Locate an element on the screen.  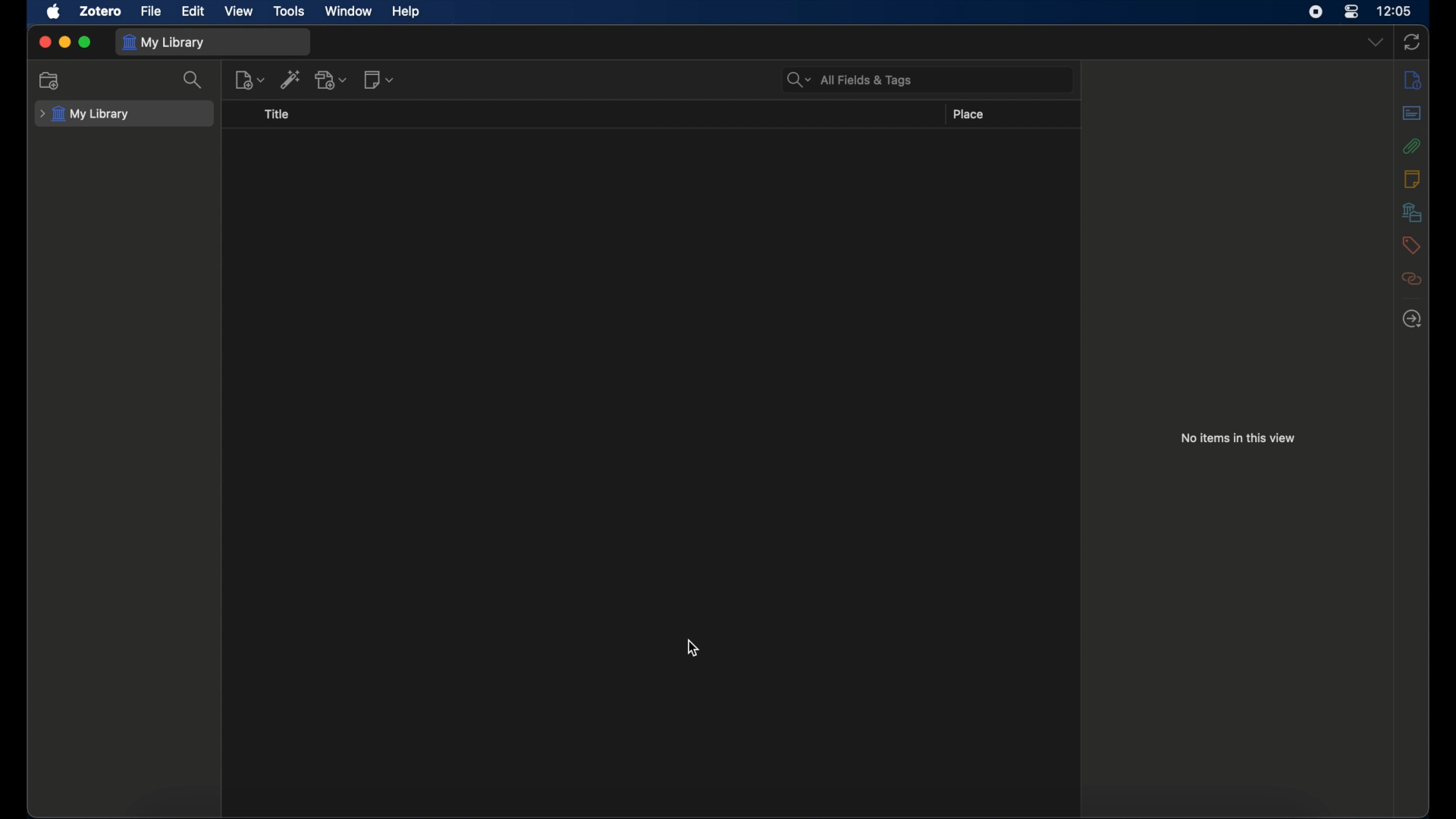
no items in this view is located at coordinates (1238, 438).